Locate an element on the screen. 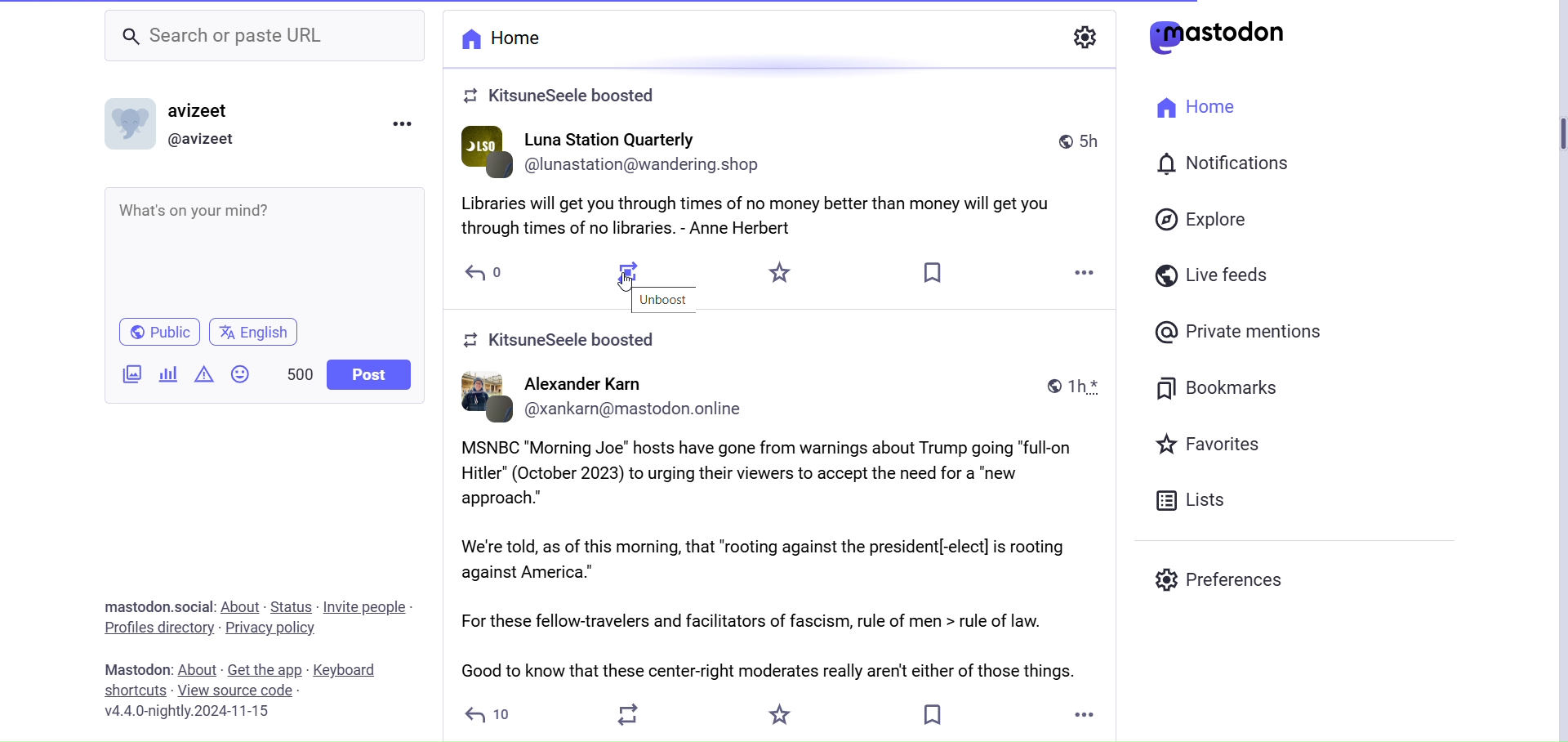  Post is located at coordinates (367, 374).